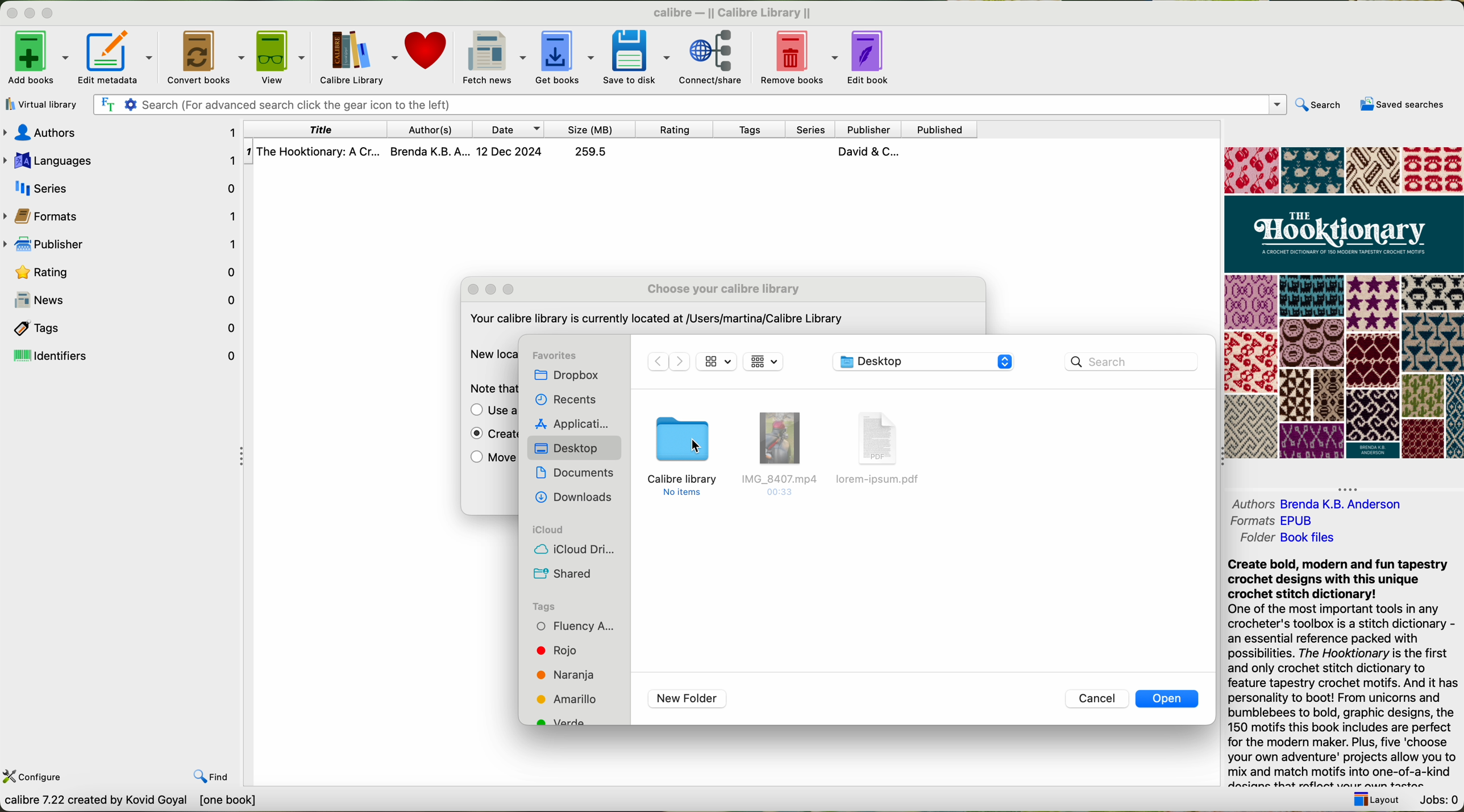 This screenshot has width=1464, height=812. What do you see at coordinates (510, 128) in the screenshot?
I see `date` at bounding box center [510, 128].